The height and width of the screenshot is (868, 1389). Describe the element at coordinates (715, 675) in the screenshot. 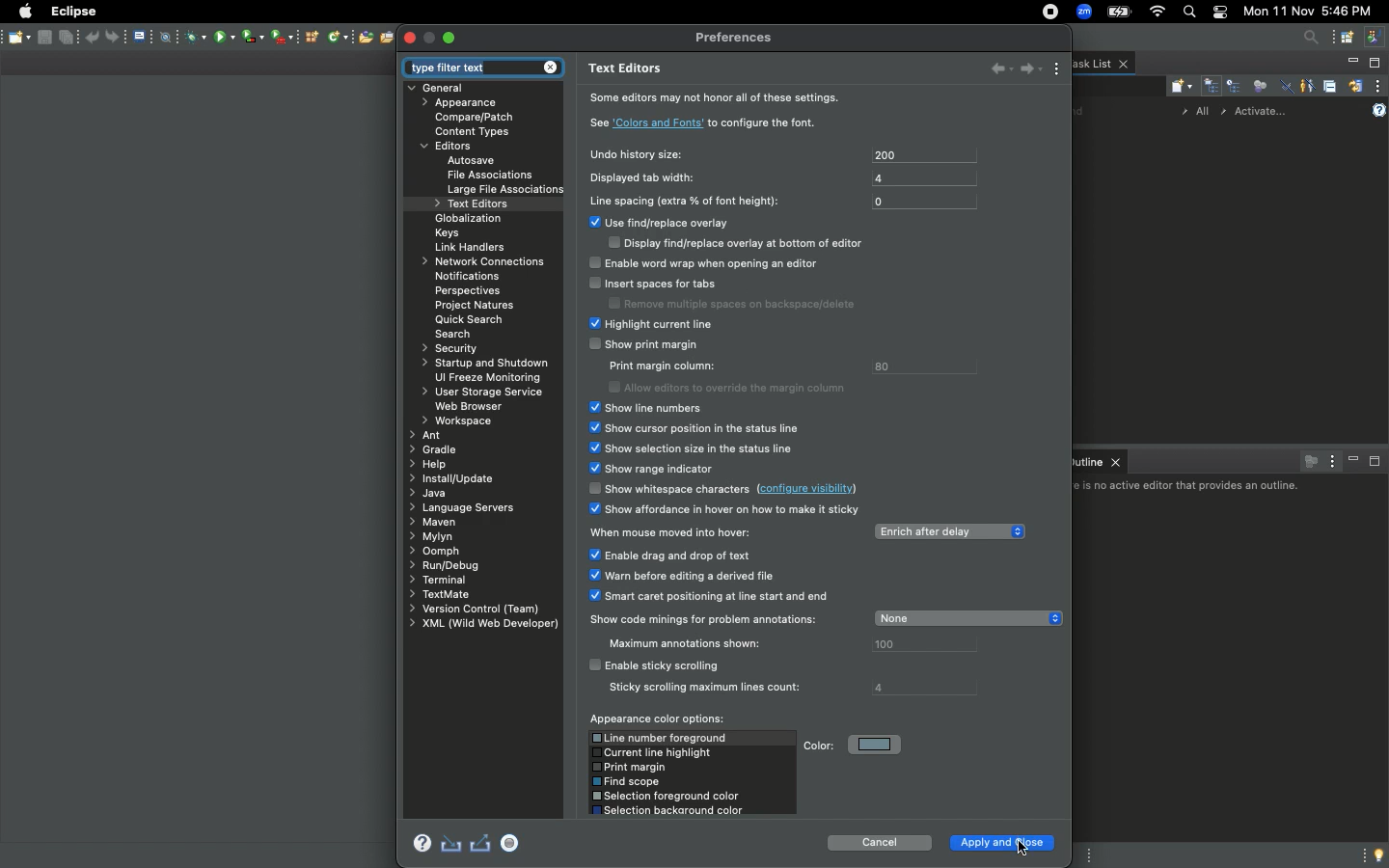

I see `Enable sticky scrolling` at that location.